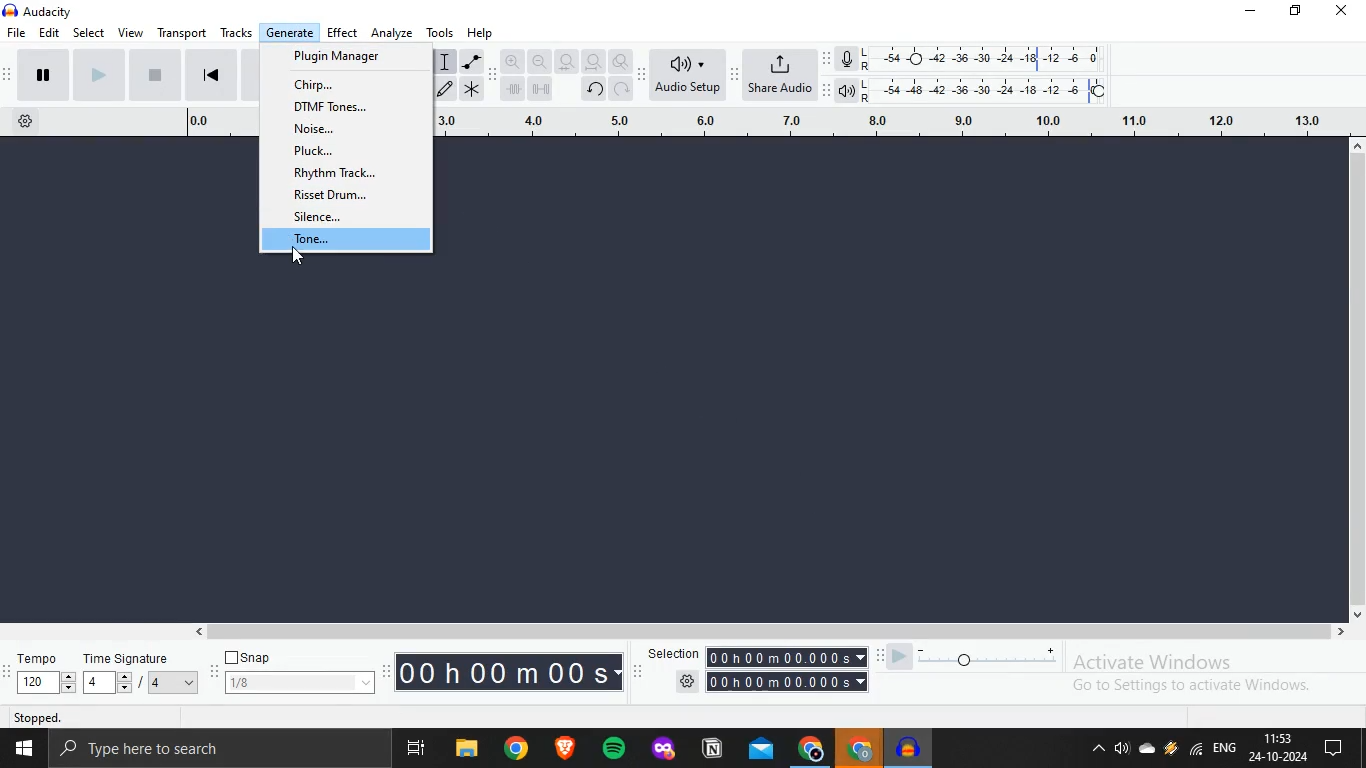  What do you see at coordinates (1212, 675) in the screenshot?
I see `Activate window` at bounding box center [1212, 675].